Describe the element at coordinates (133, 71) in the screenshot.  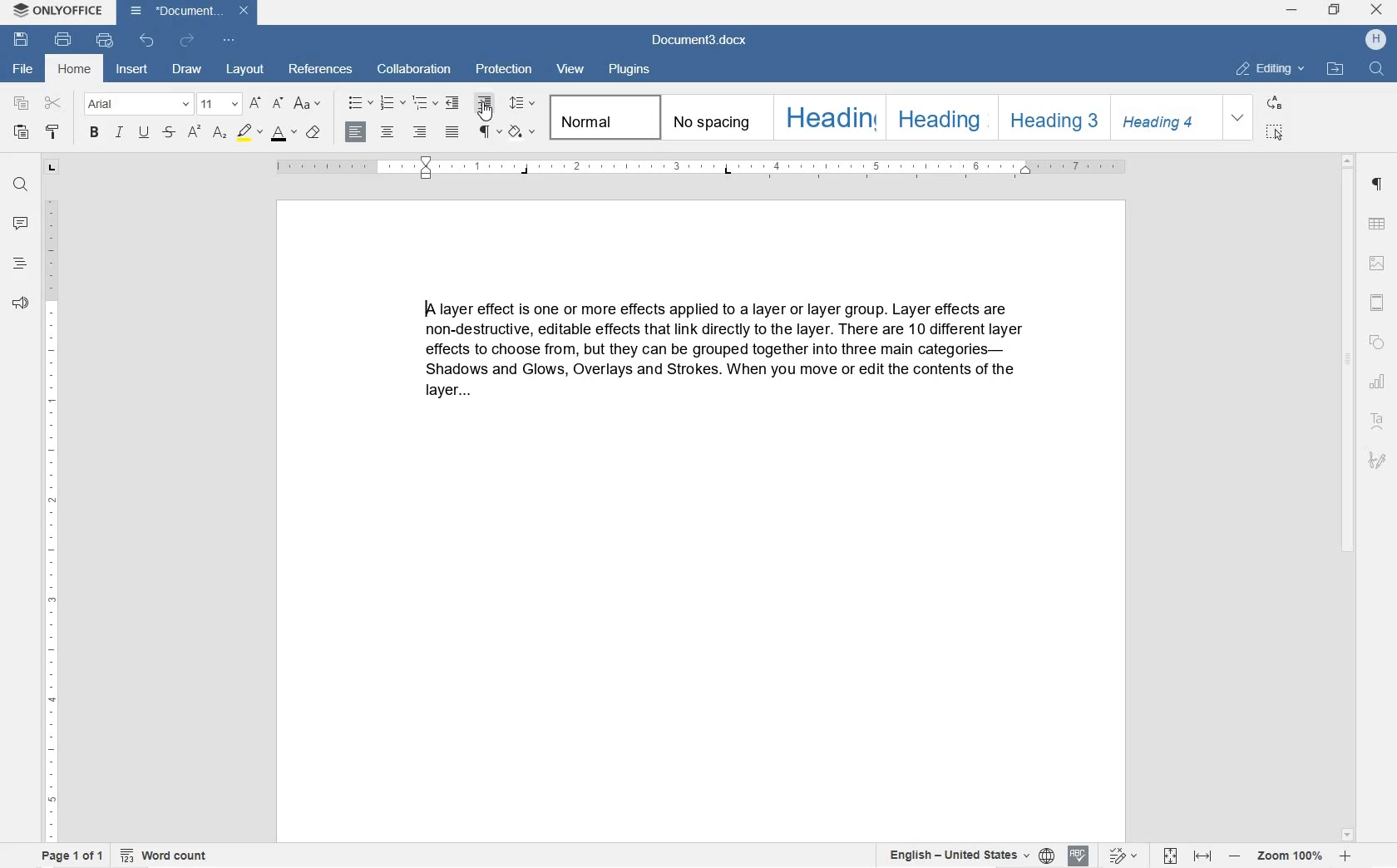
I see `INSERT` at that location.